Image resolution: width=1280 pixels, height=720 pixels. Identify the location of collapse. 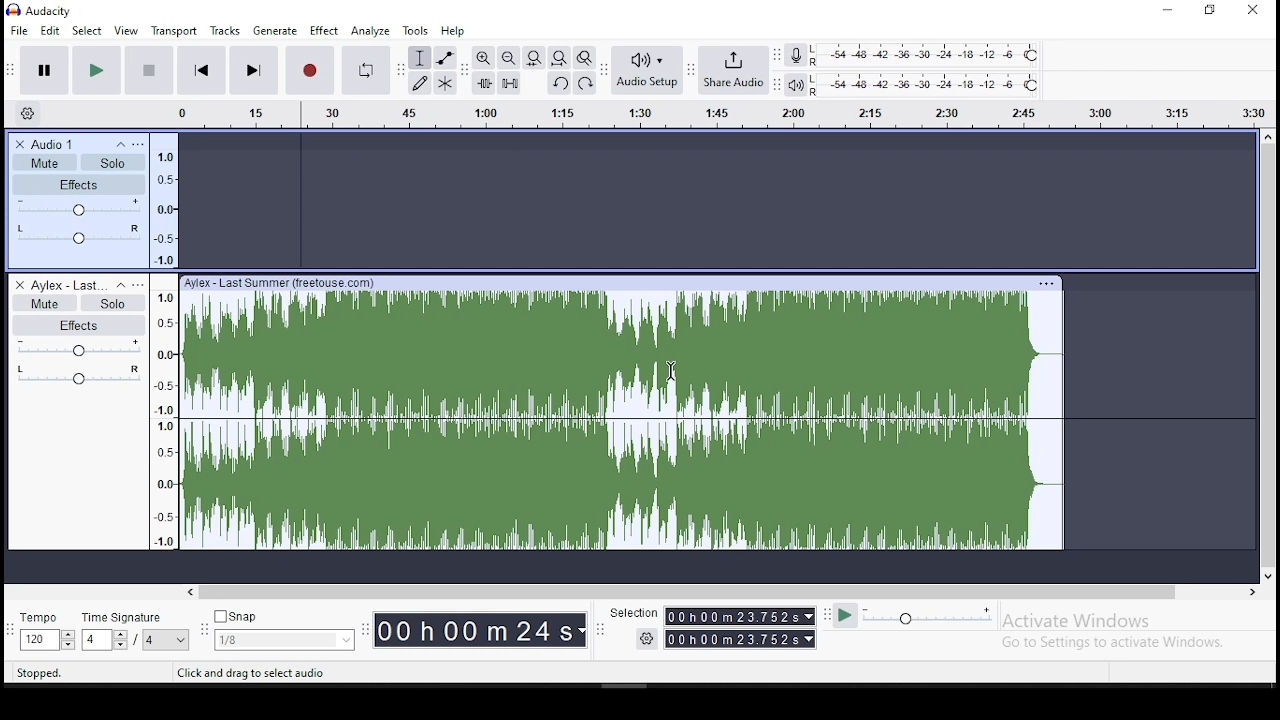
(119, 145).